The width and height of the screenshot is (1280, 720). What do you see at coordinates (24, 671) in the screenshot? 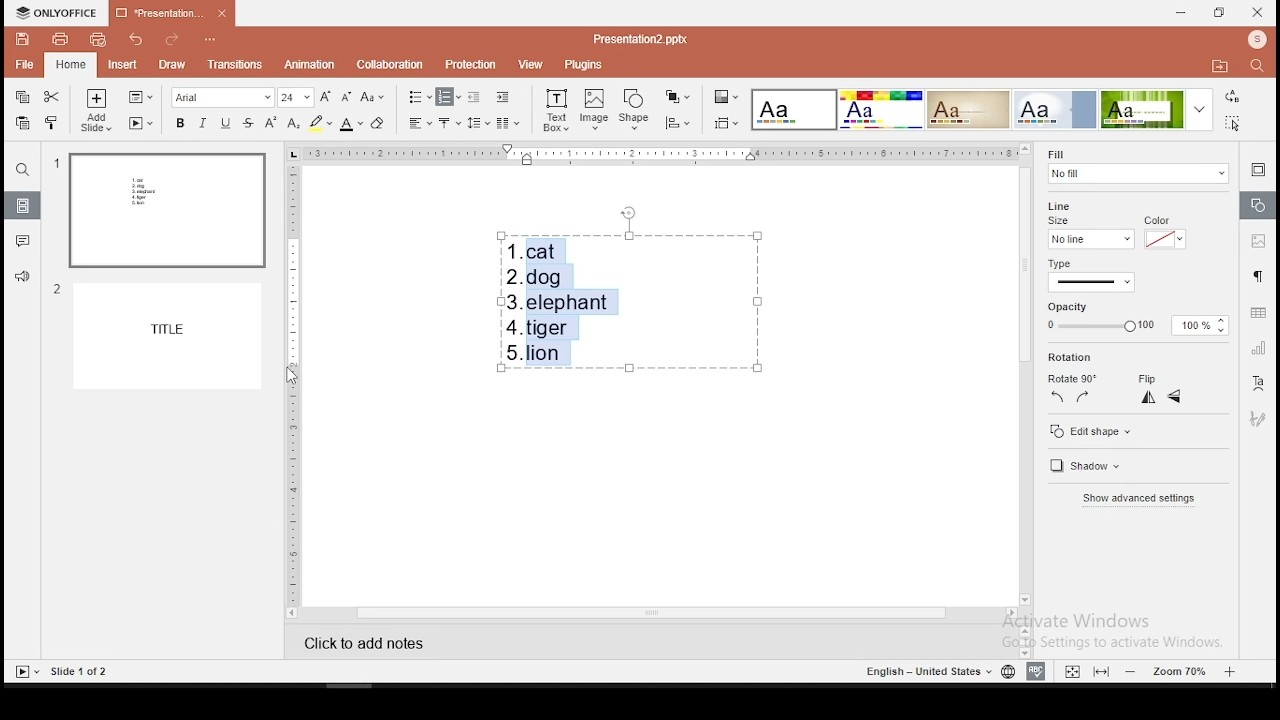
I see `start slide show` at bounding box center [24, 671].